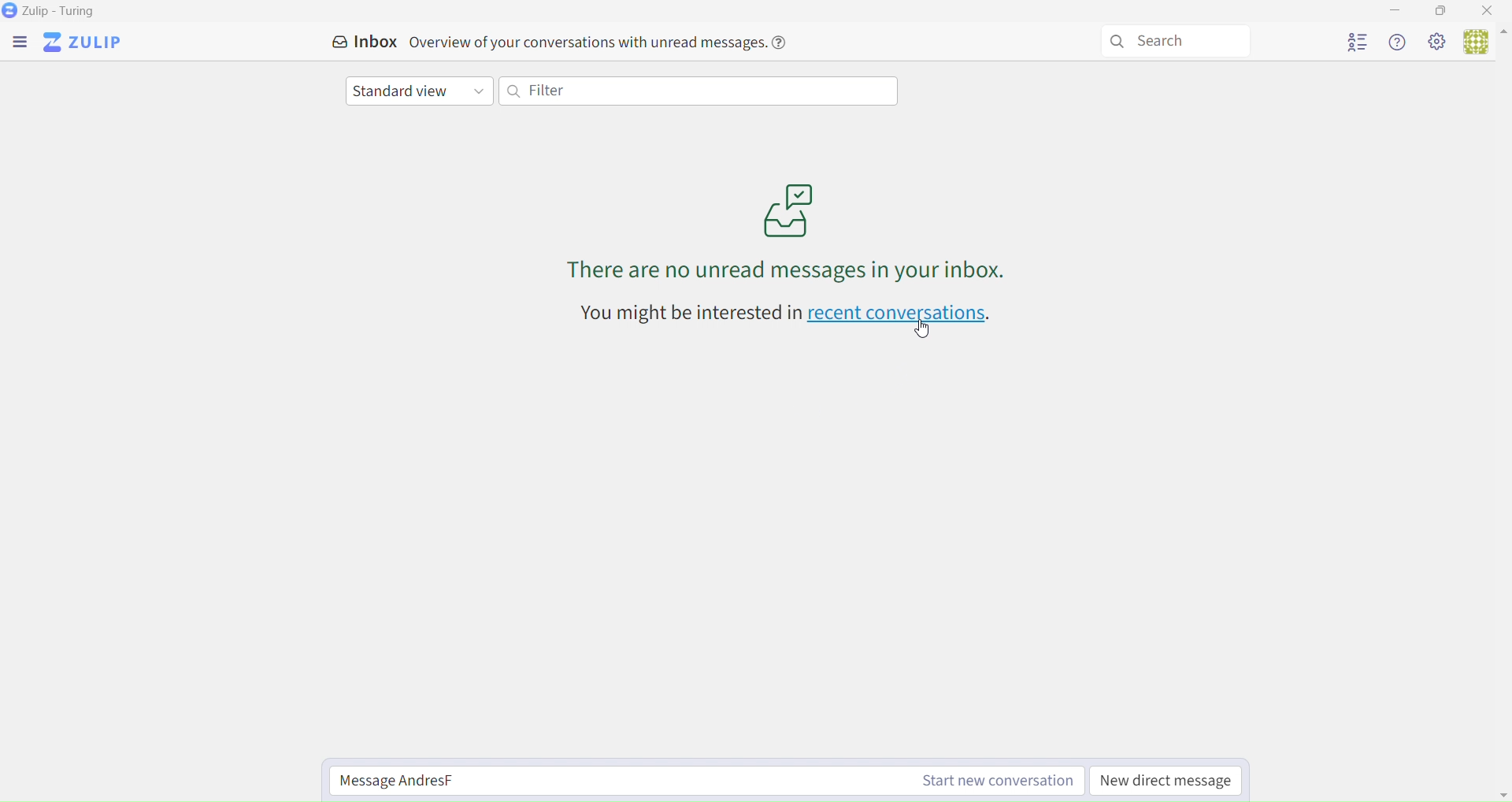  What do you see at coordinates (1490, 13) in the screenshot?
I see `Close` at bounding box center [1490, 13].